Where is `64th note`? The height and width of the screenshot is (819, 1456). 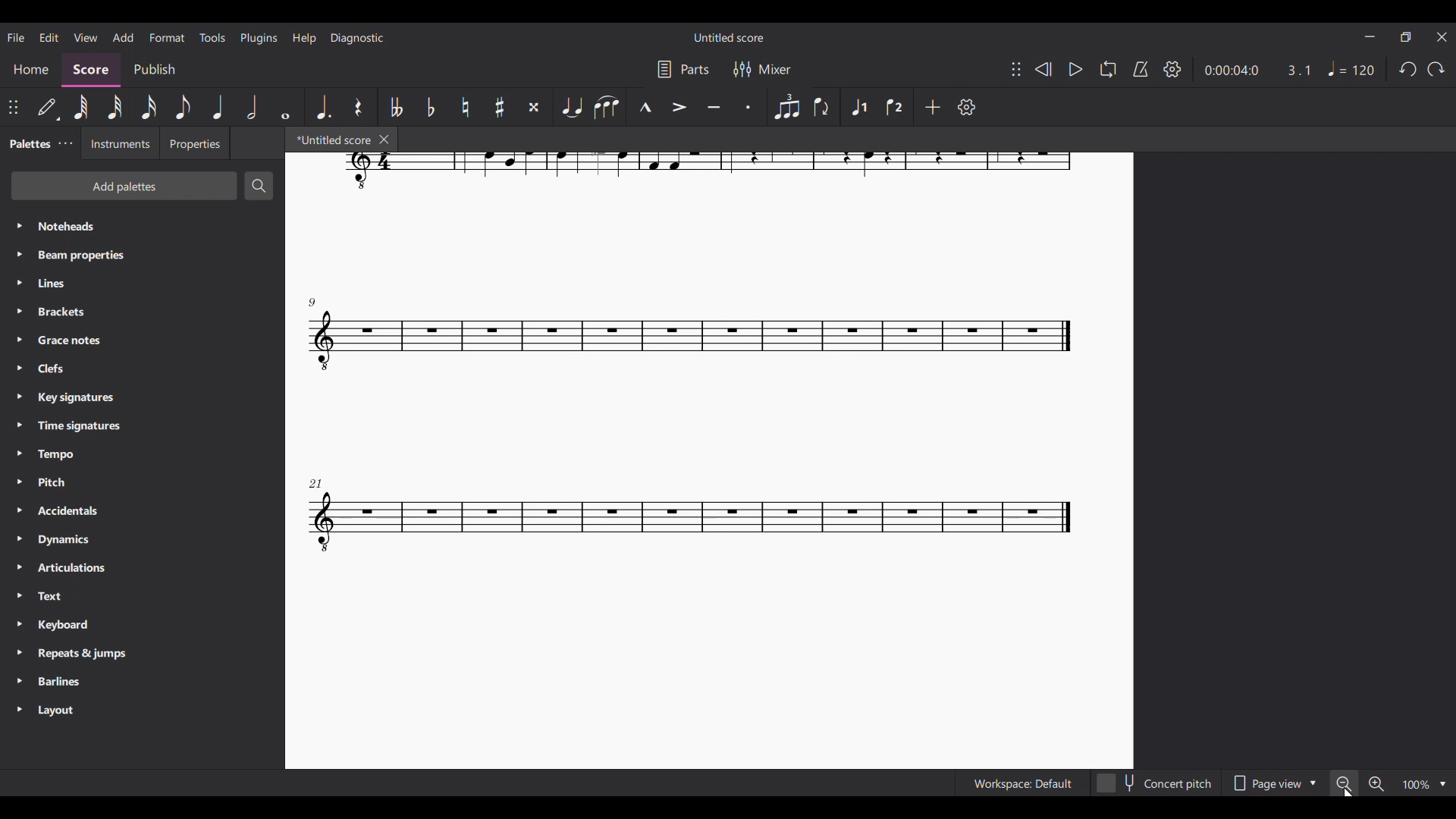
64th note is located at coordinates (81, 107).